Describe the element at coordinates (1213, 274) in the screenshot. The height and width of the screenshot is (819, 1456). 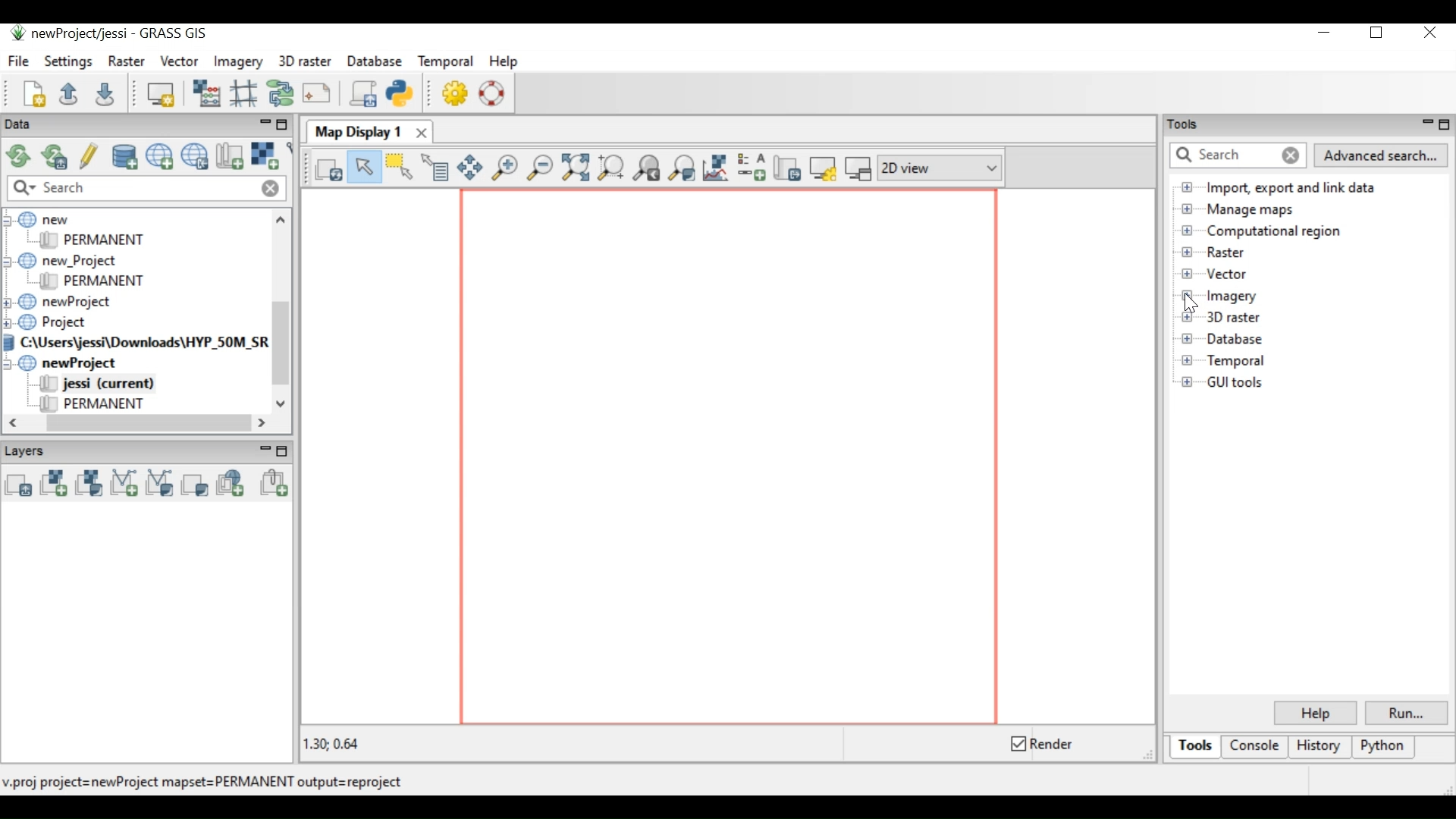
I see `Vector` at that location.